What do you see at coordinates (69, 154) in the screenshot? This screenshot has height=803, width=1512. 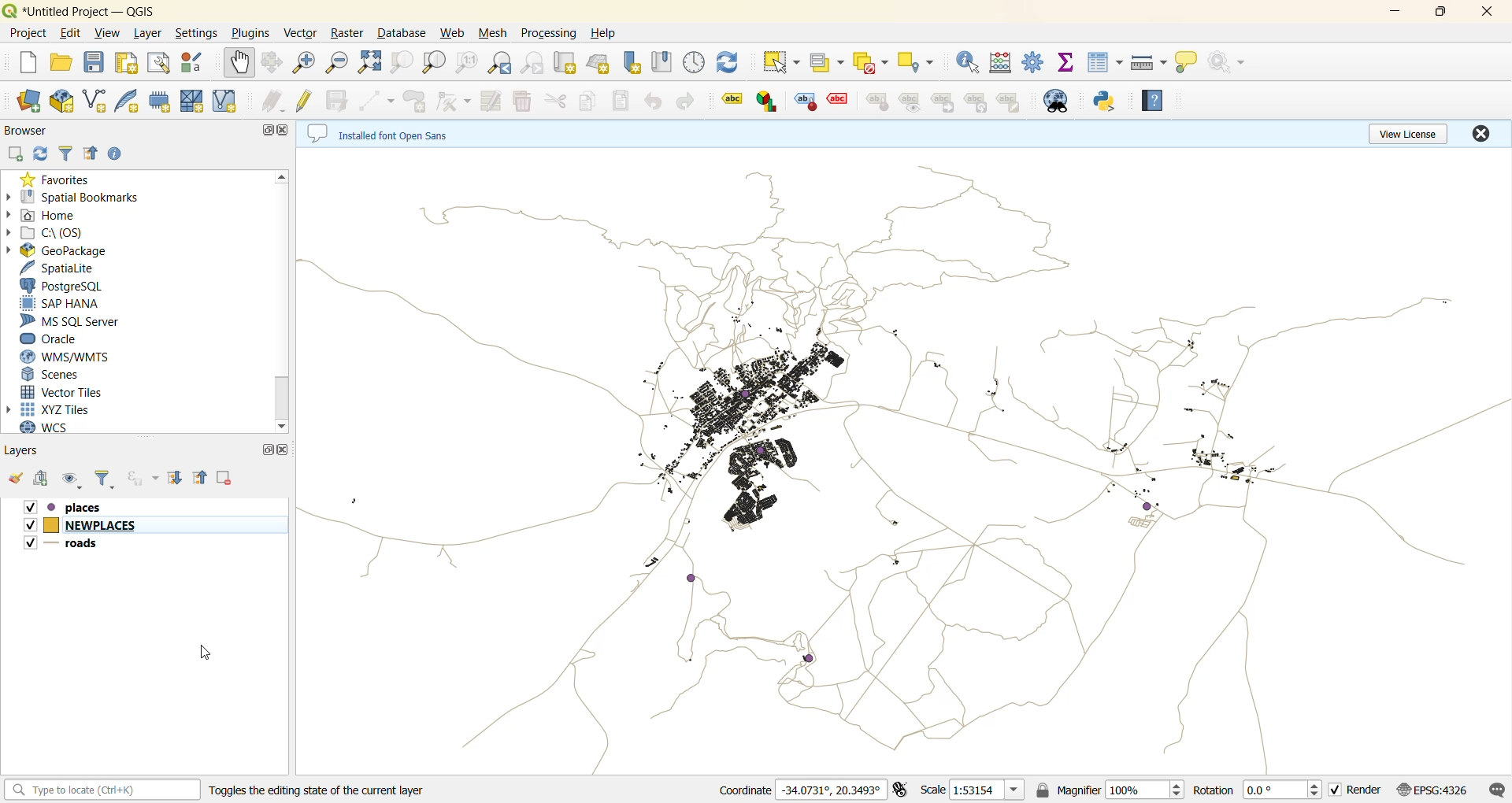 I see `filter` at bounding box center [69, 154].